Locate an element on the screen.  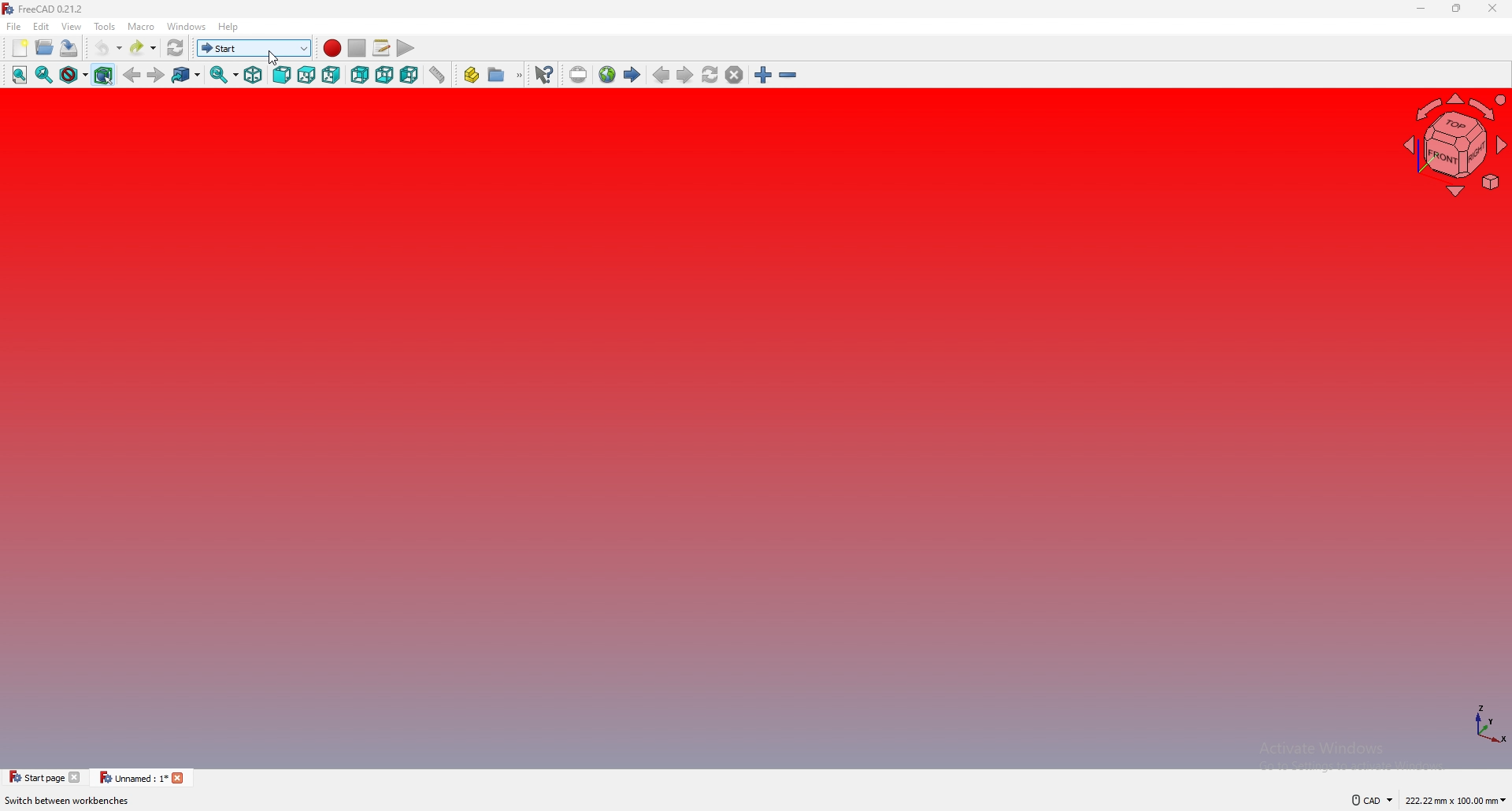
open website is located at coordinates (608, 74).